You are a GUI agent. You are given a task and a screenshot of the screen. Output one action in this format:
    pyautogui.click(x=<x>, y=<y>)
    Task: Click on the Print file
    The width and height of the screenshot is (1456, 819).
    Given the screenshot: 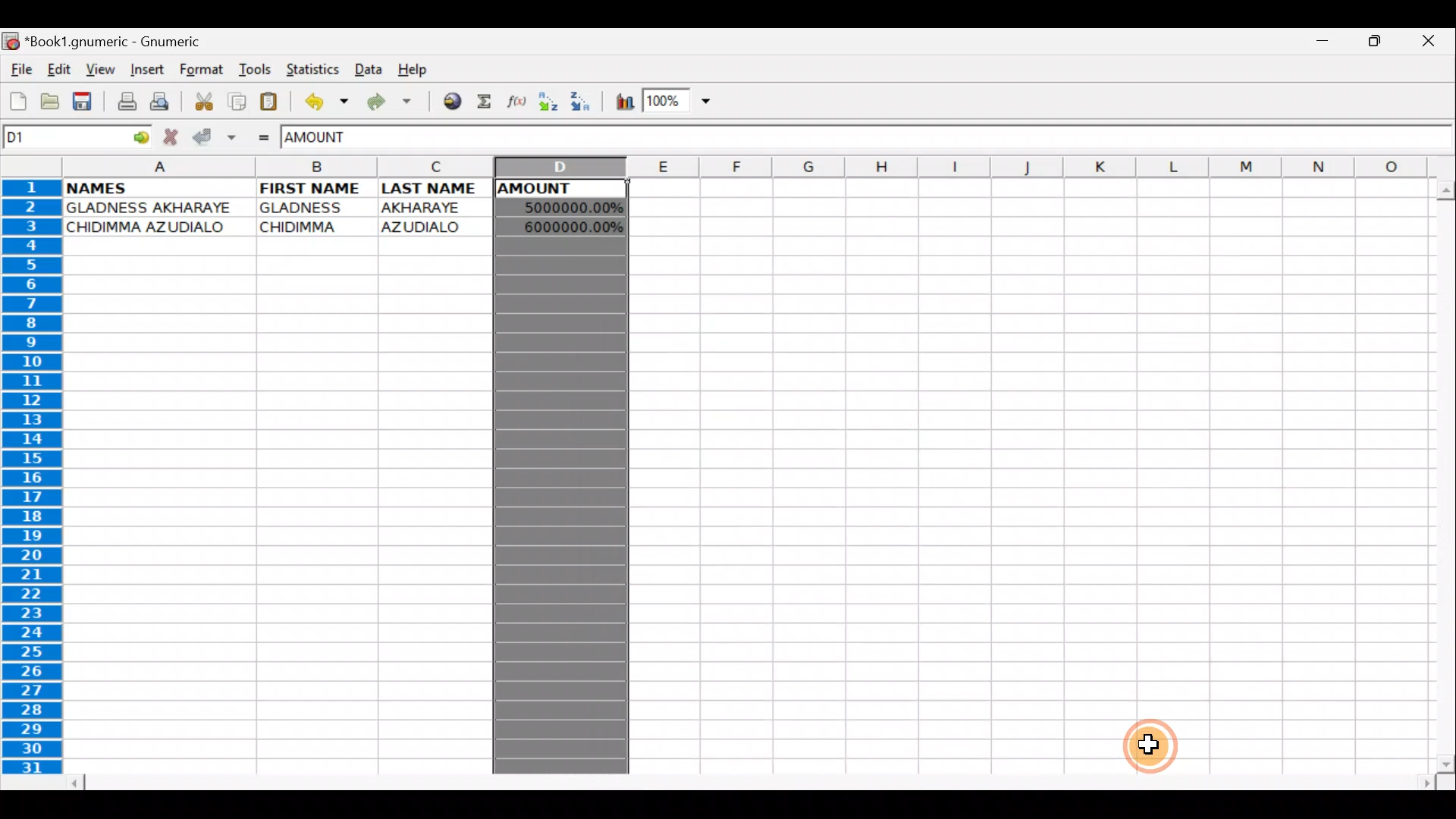 What is the action you would take?
    pyautogui.click(x=121, y=100)
    